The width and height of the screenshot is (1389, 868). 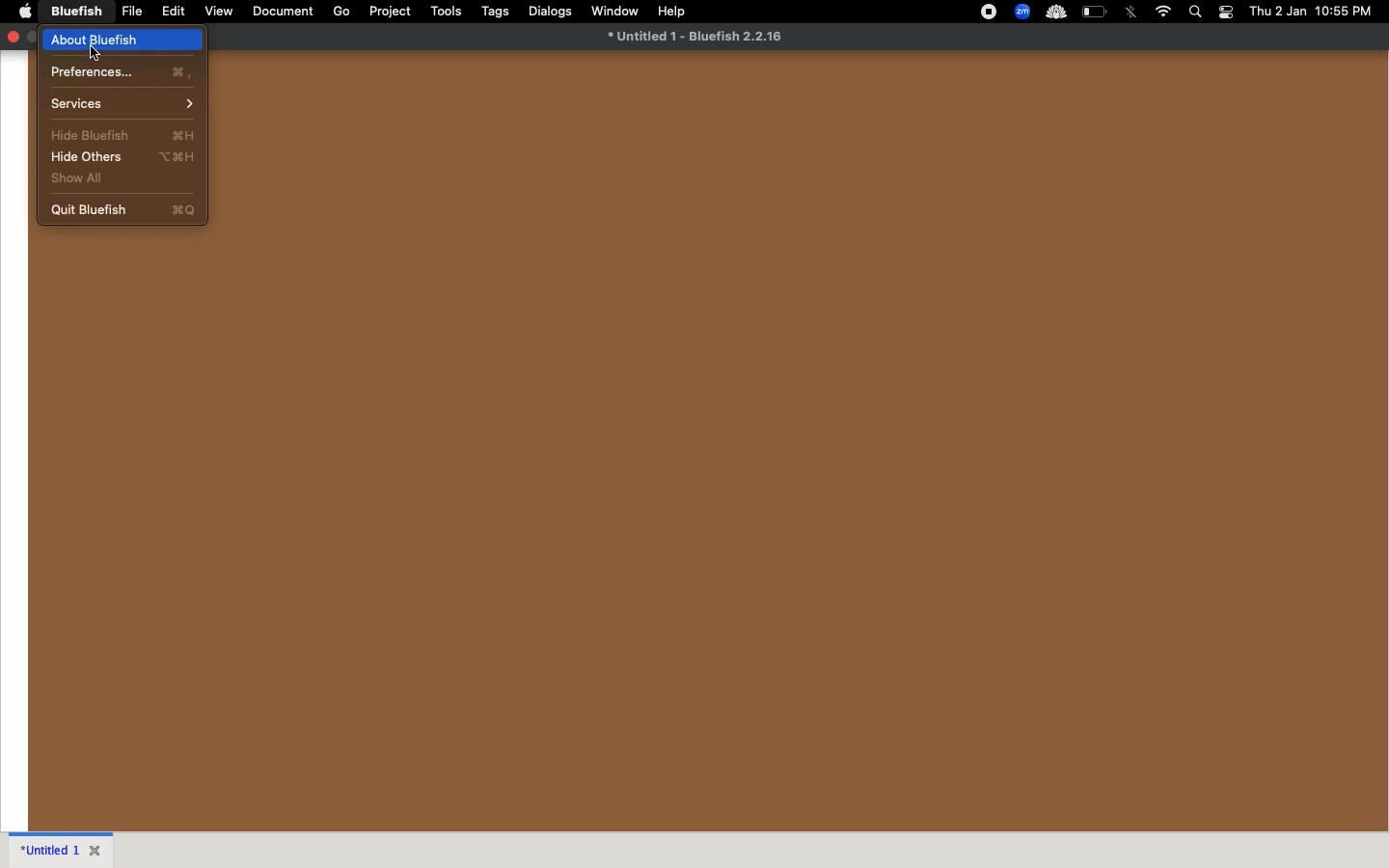 I want to click on services, so click(x=123, y=104).